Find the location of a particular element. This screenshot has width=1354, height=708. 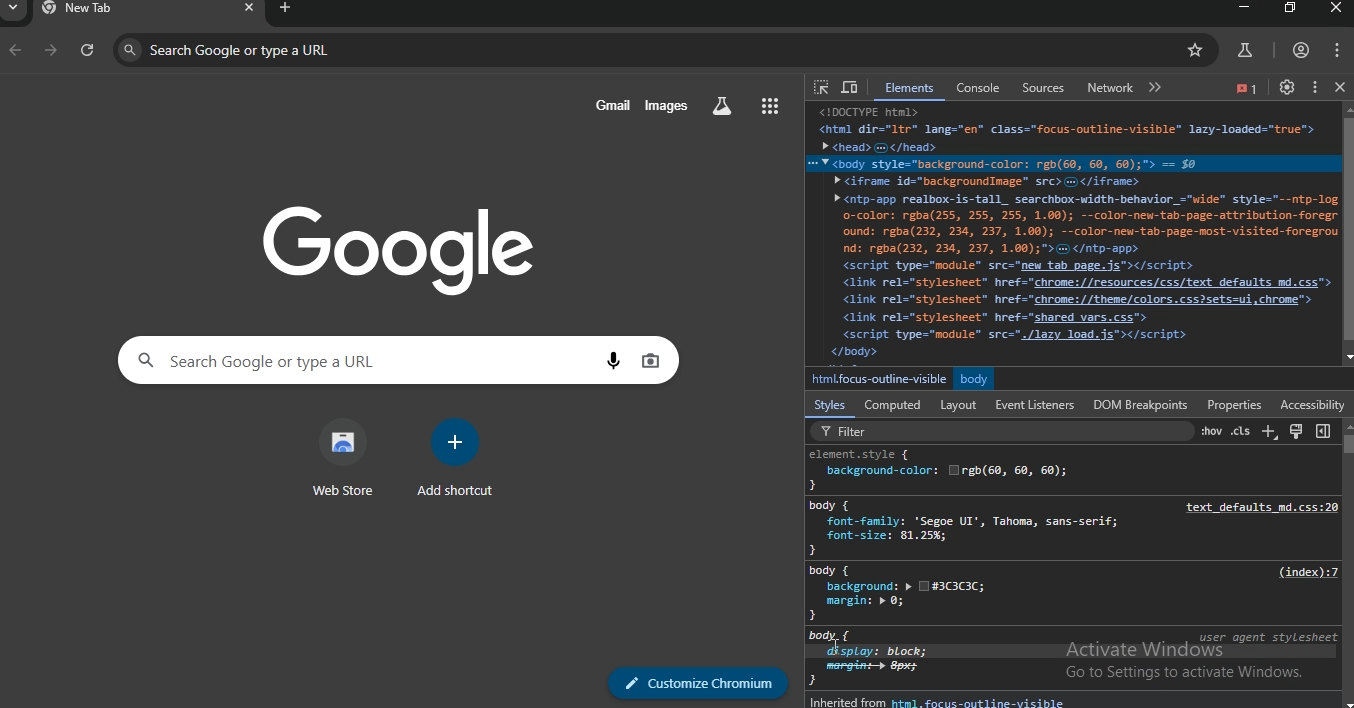

inherited from html.focus-outline-visible is located at coordinates (939, 701).